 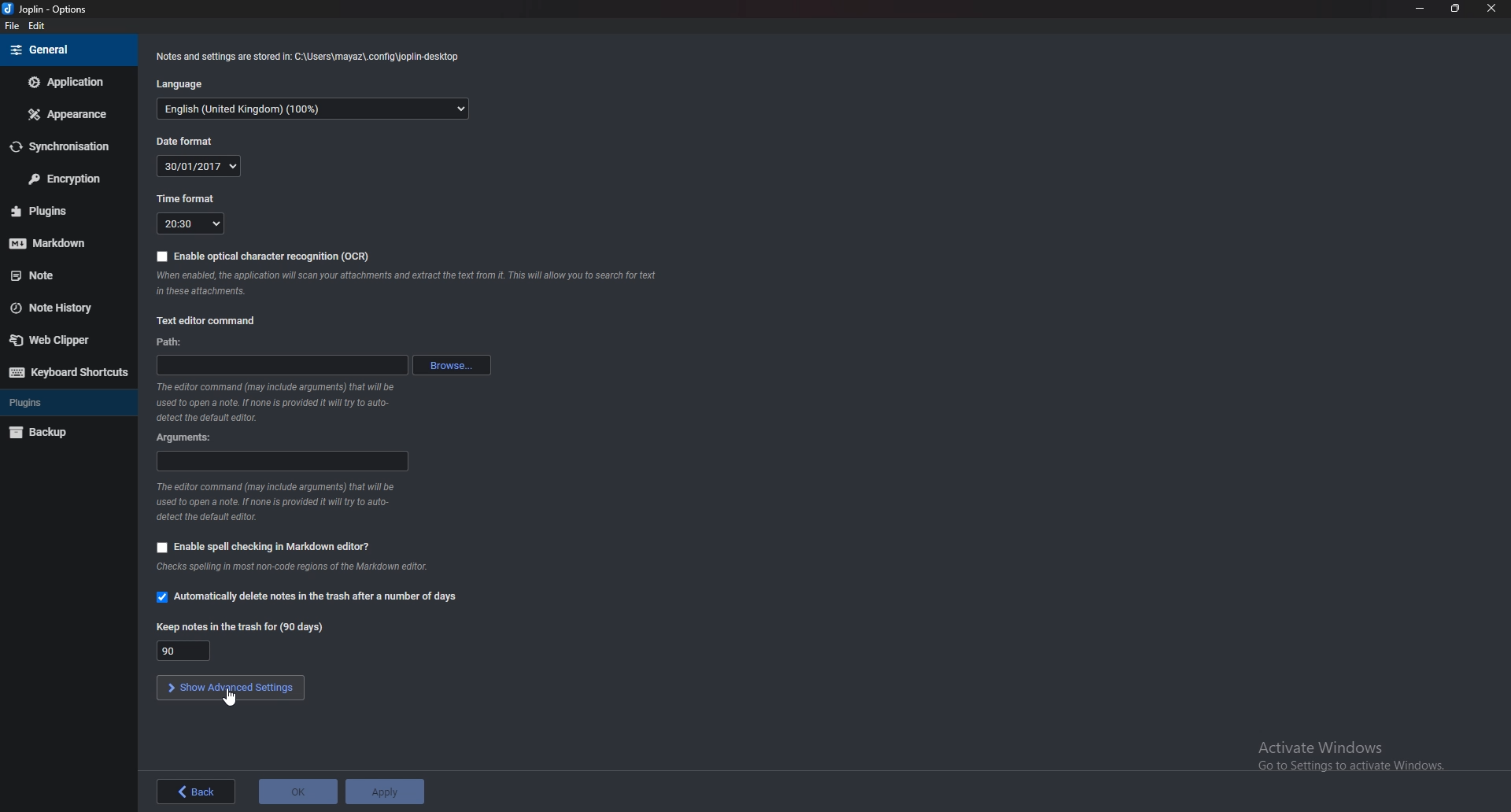 What do you see at coordinates (180, 85) in the screenshot?
I see `language` at bounding box center [180, 85].